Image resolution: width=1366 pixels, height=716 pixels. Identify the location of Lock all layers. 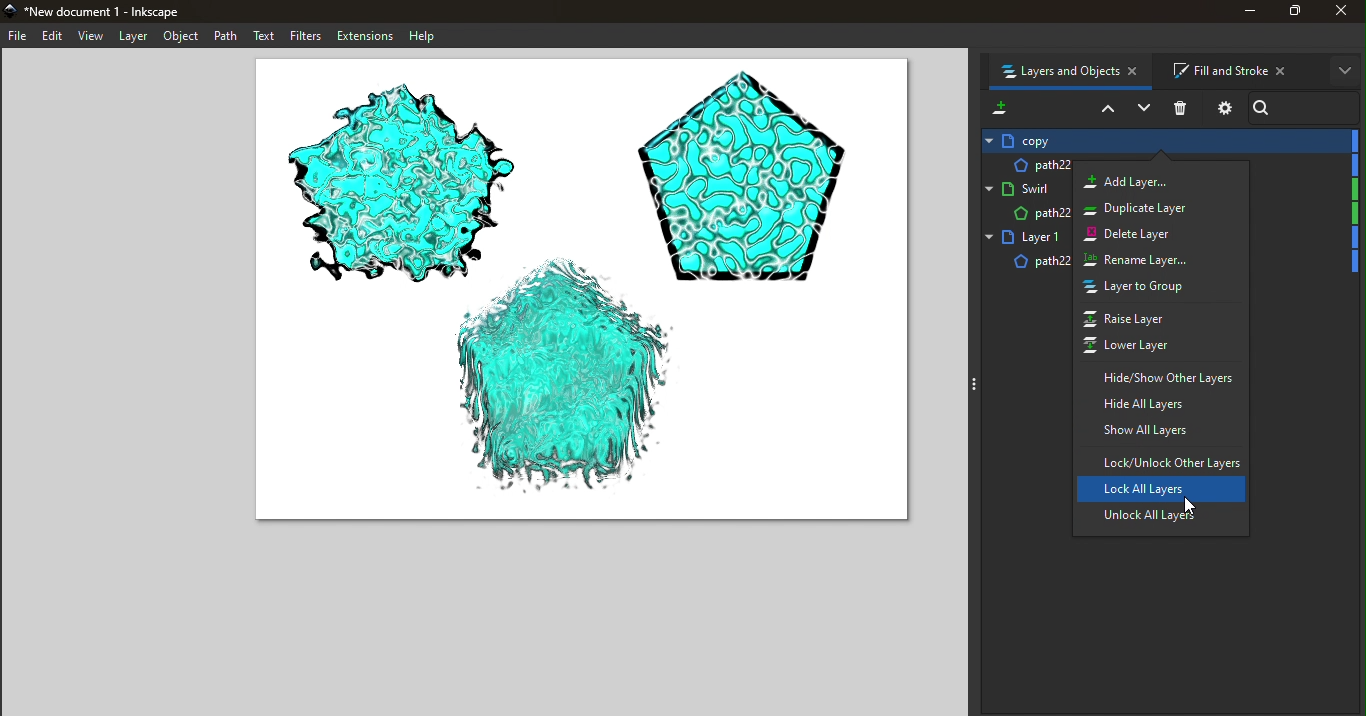
(1161, 490).